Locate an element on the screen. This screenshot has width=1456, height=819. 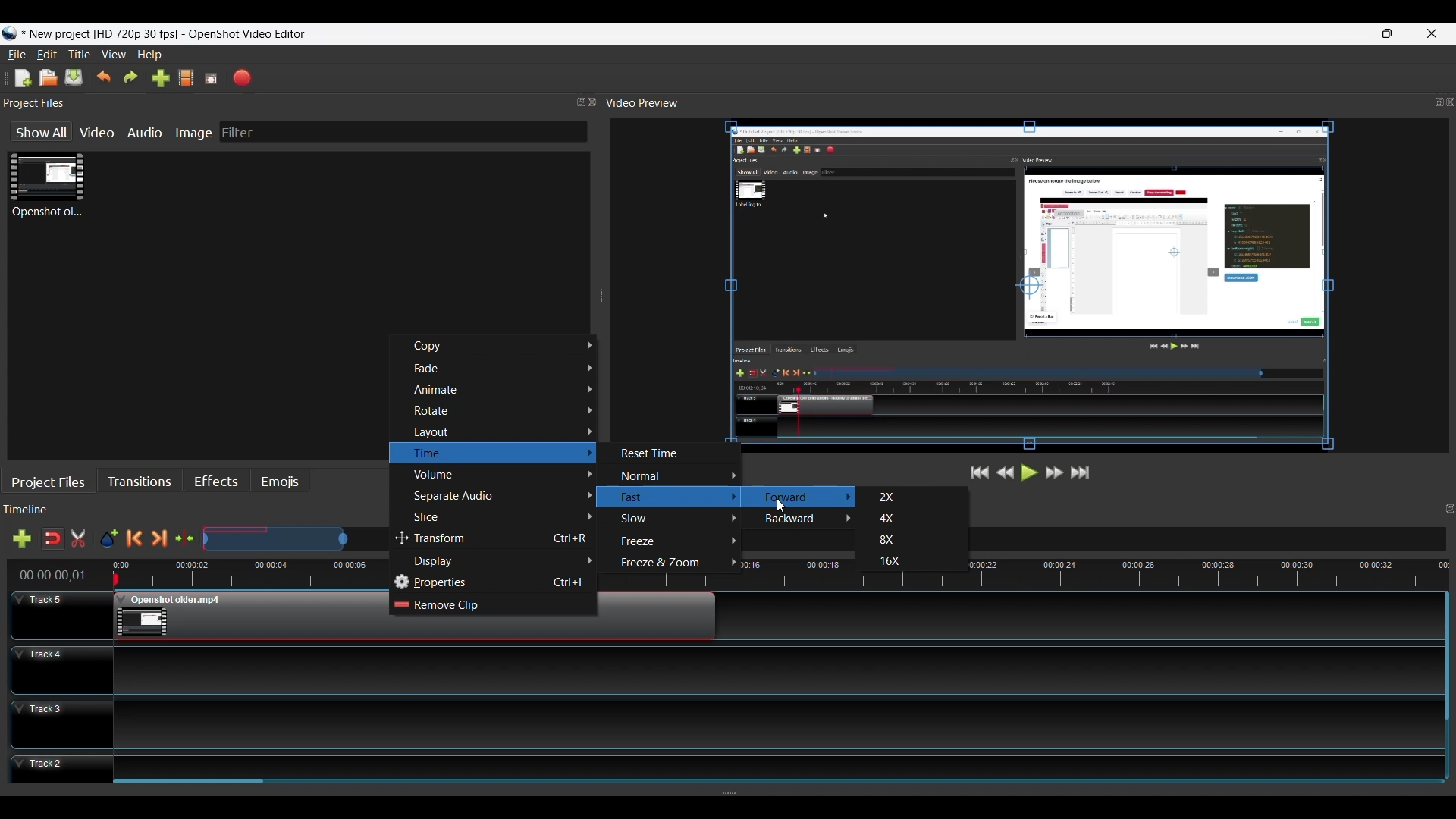
Slice is located at coordinates (501, 518).